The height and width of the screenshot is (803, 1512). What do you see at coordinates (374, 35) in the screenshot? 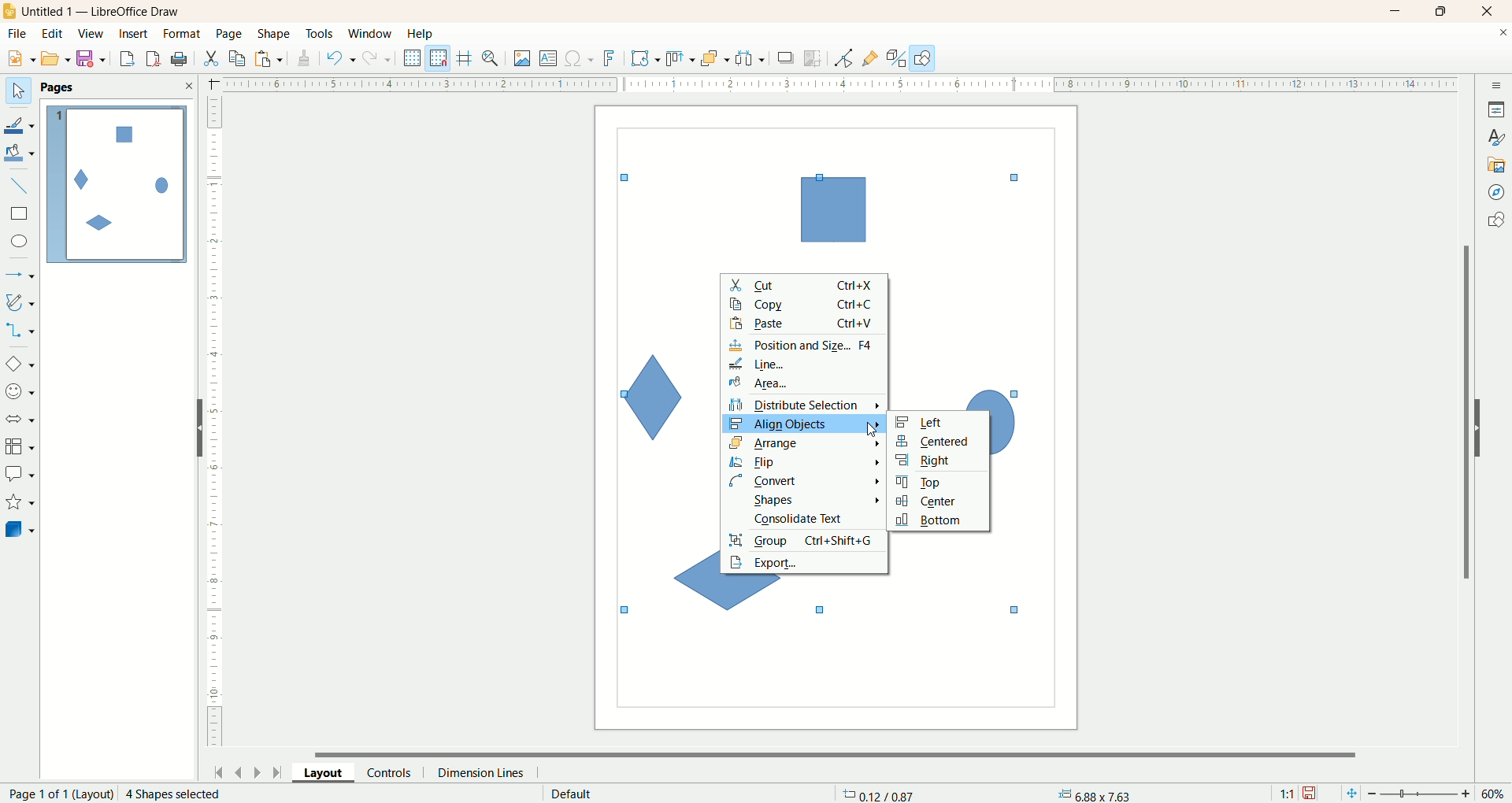
I see `window` at bounding box center [374, 35].